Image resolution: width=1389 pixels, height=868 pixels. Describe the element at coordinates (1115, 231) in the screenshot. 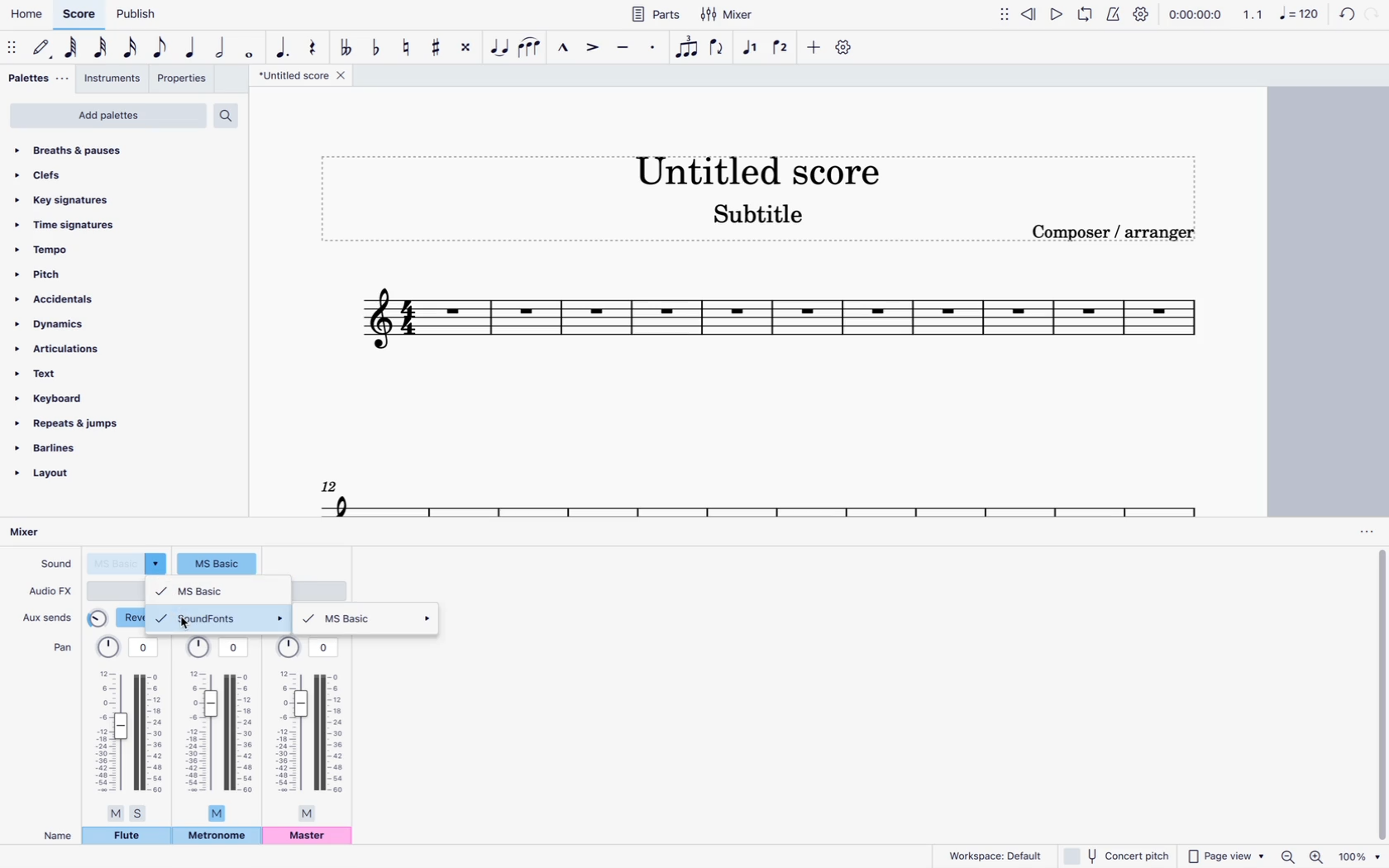

I see `composer / arranger` at that location.